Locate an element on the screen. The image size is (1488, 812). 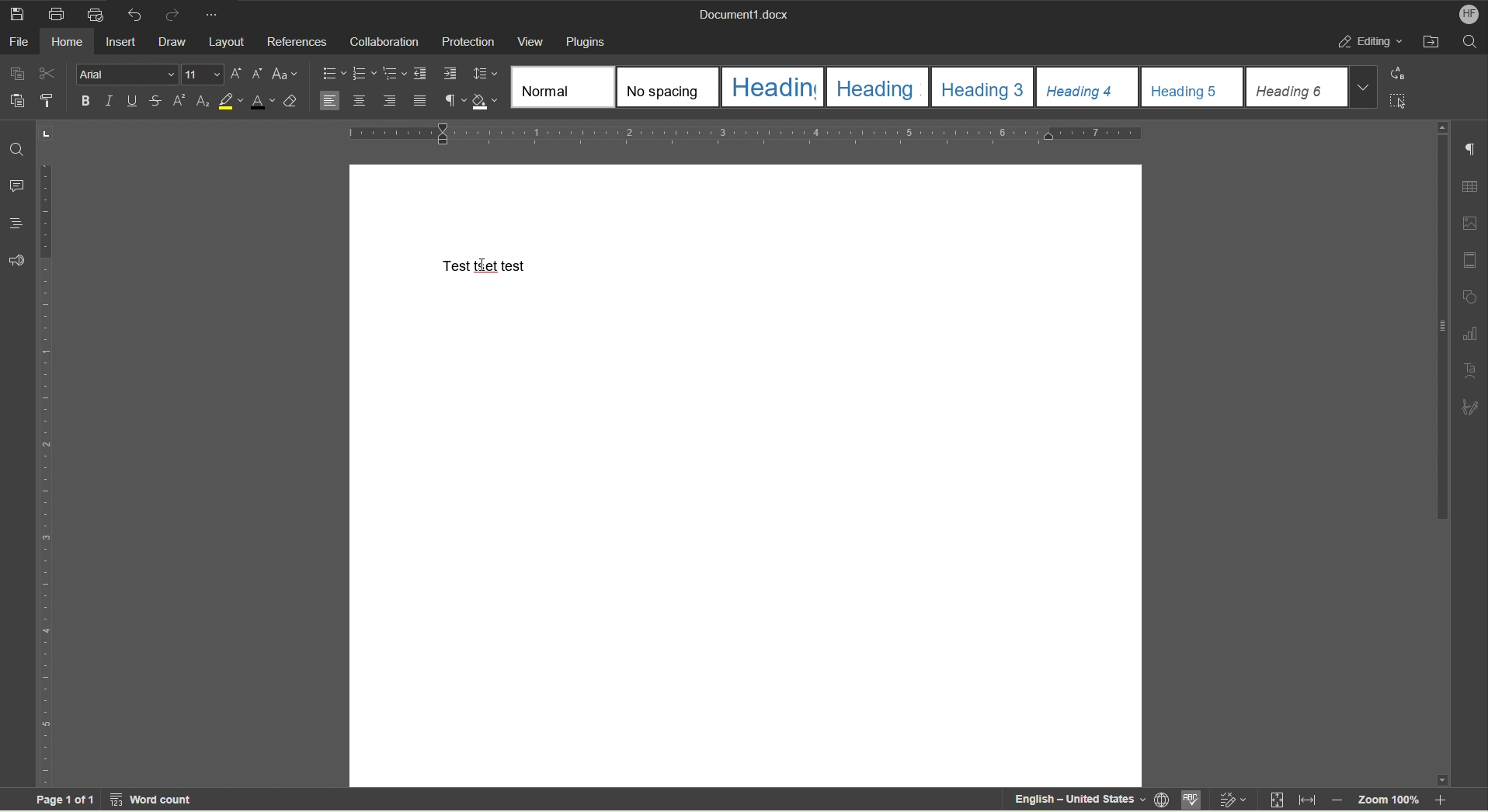
Save is located at coordinates (16, 12).